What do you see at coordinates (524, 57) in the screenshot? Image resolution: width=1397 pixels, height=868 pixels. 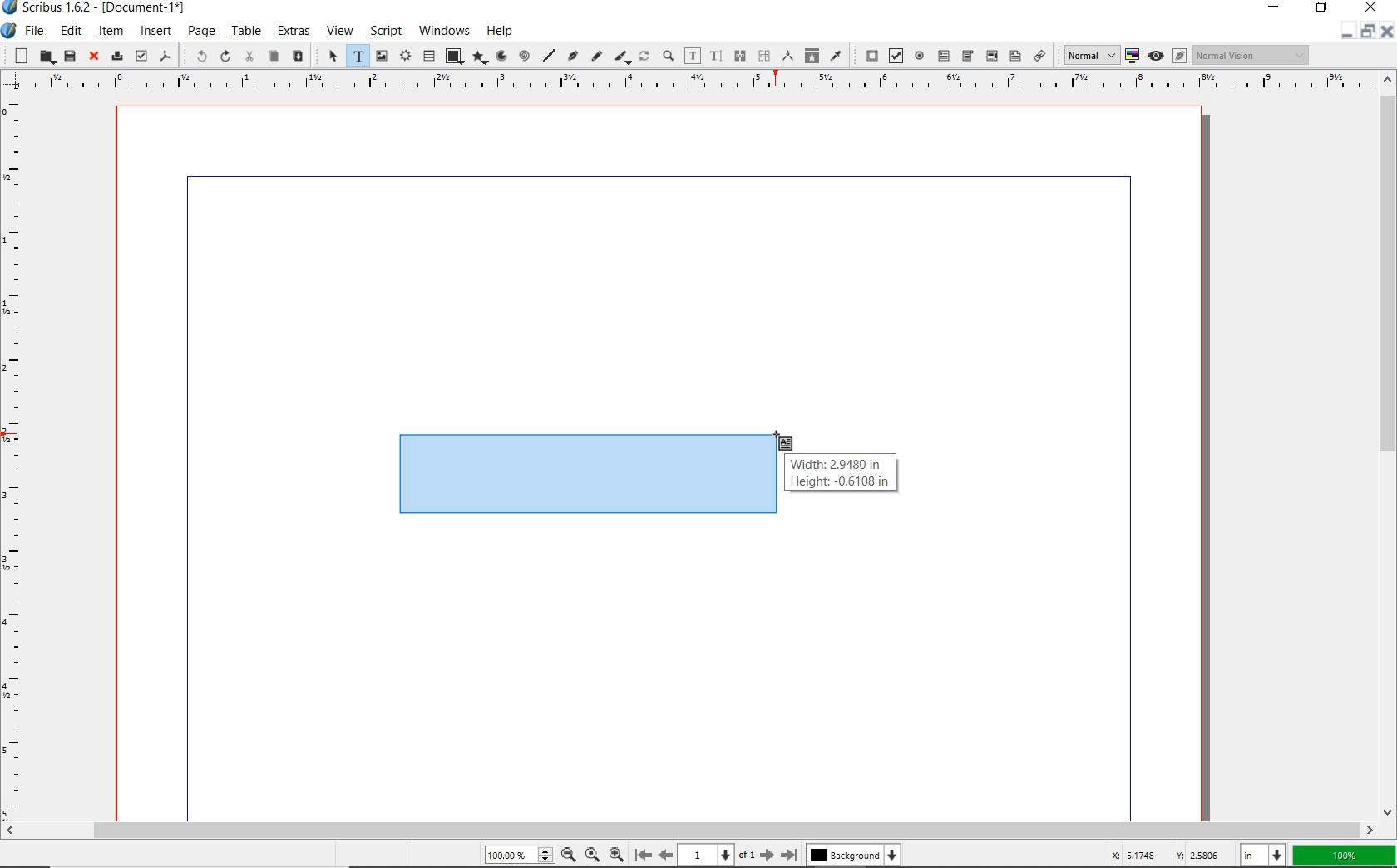 I see `spiral` at bounding box center [524, 57].